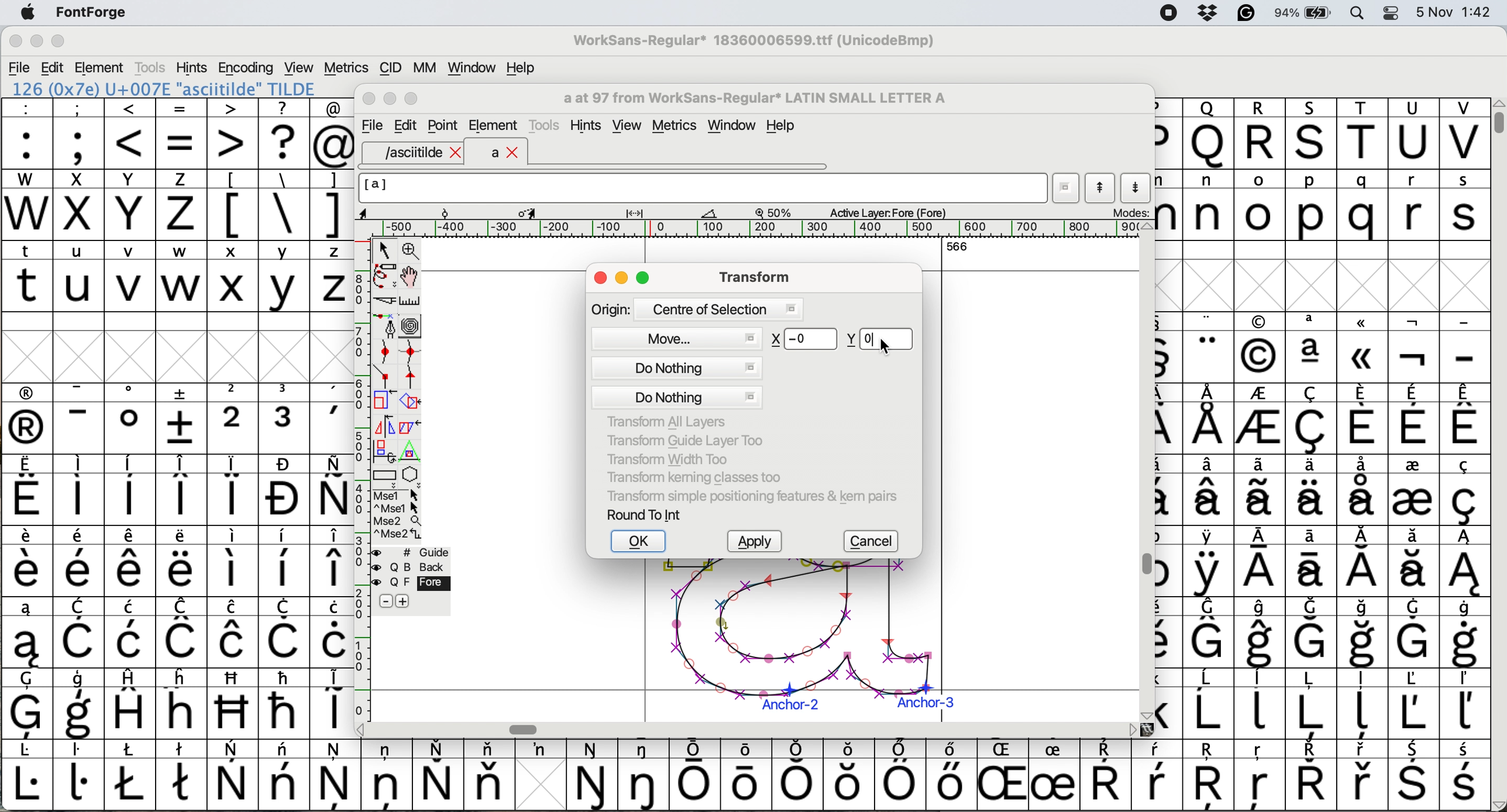  What do you see at coordinates (234, 703) in the screenshot?
I see `` at bounding box center [234, 703].